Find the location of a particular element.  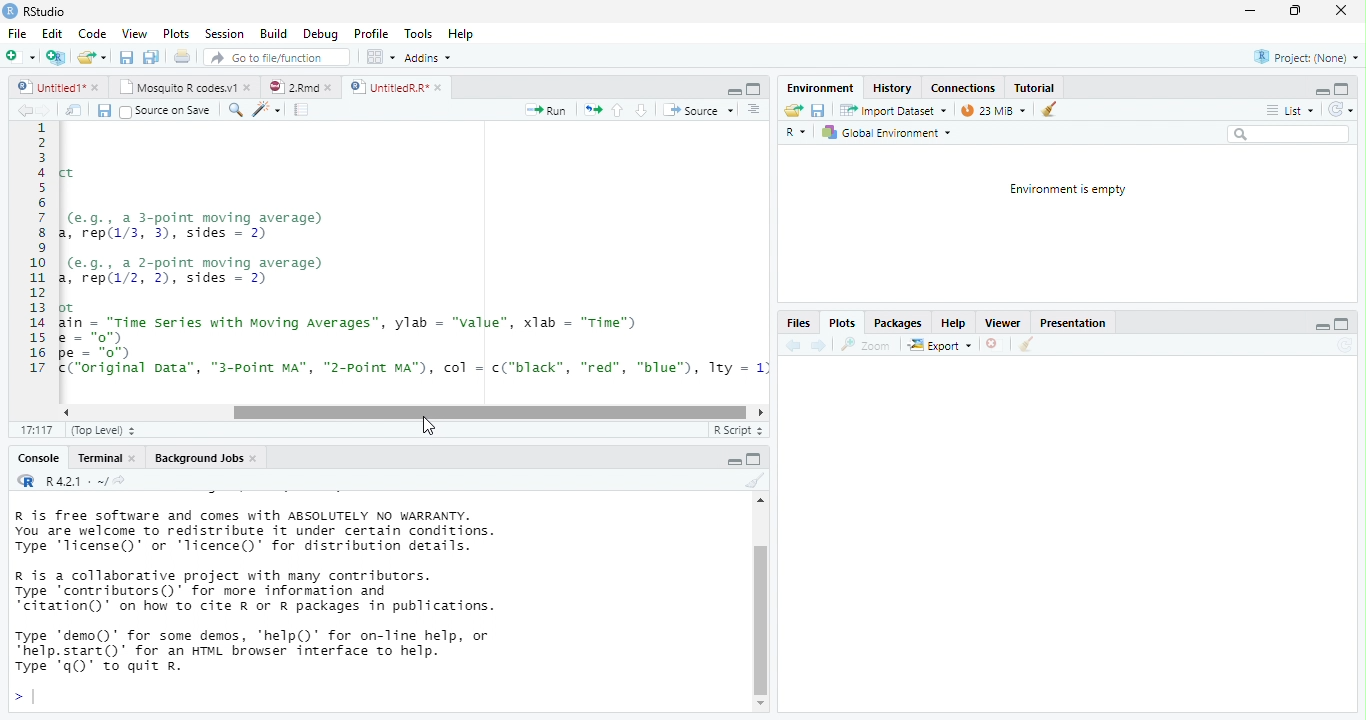

Plots is located at coordinates (840, 325).